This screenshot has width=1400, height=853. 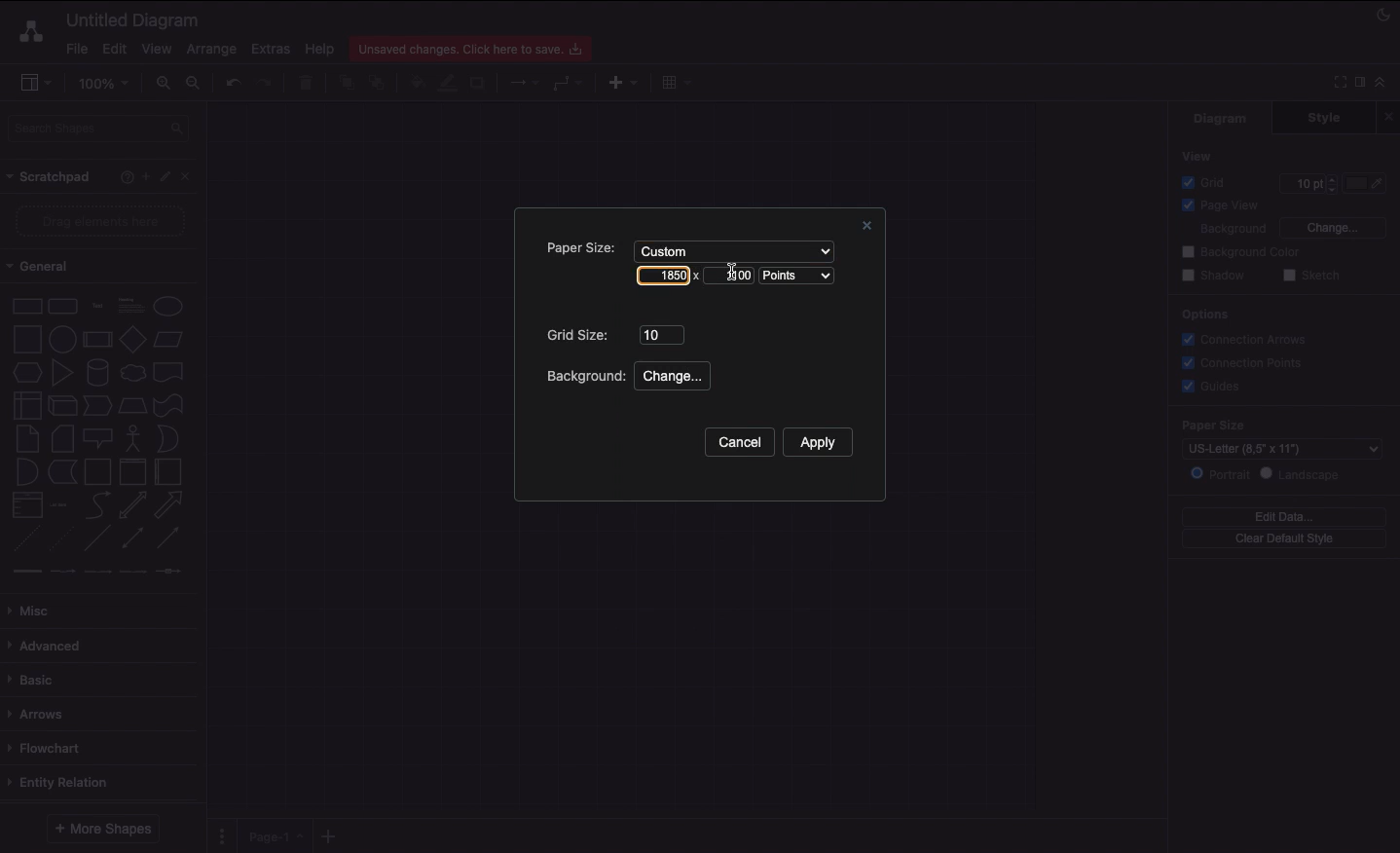 What do you see at coordinates (1208, 182) in the screenshot?
I see `Grid` at bounding box center [1208, 182].